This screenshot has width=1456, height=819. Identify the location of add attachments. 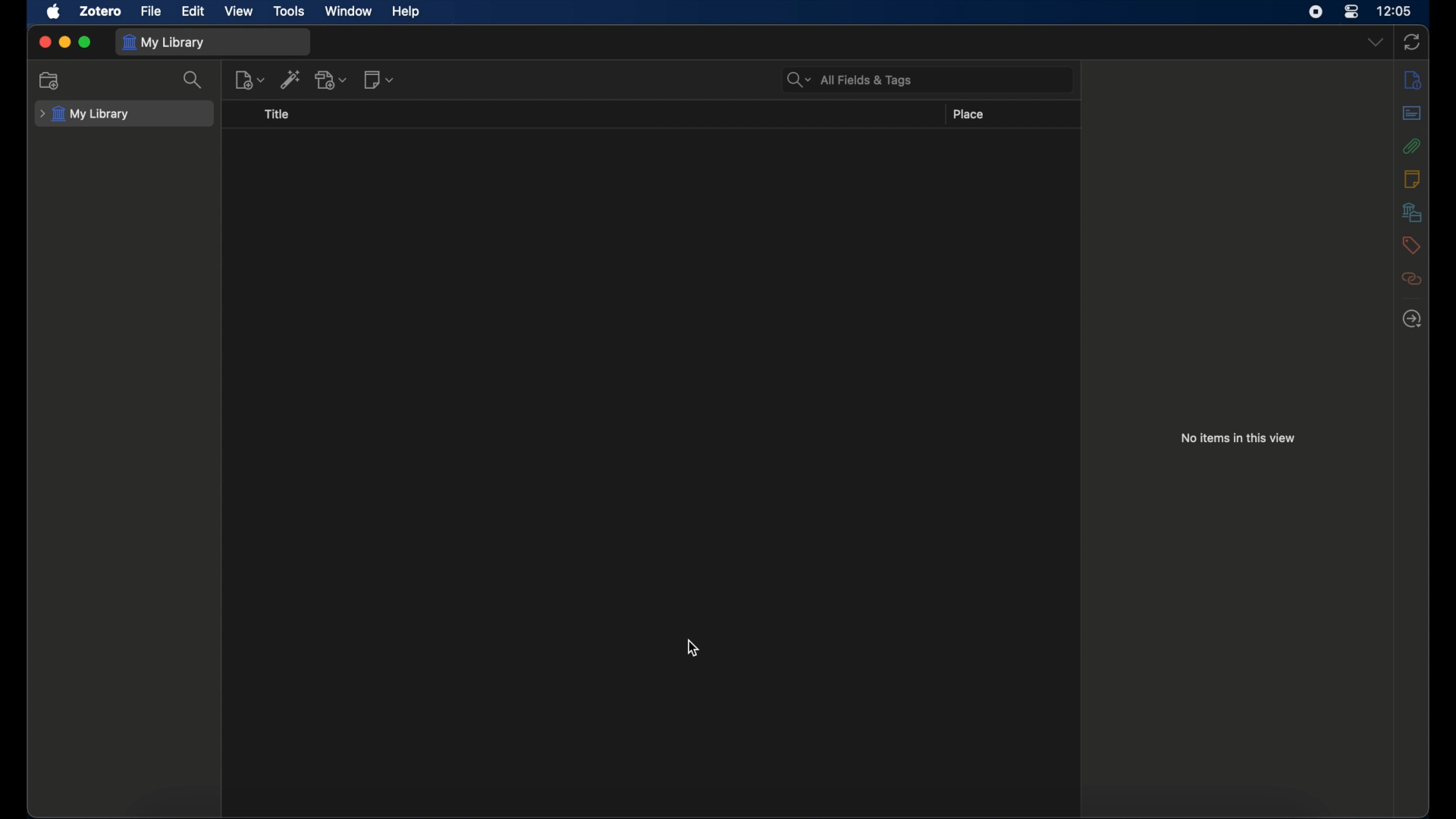
(333, 80).